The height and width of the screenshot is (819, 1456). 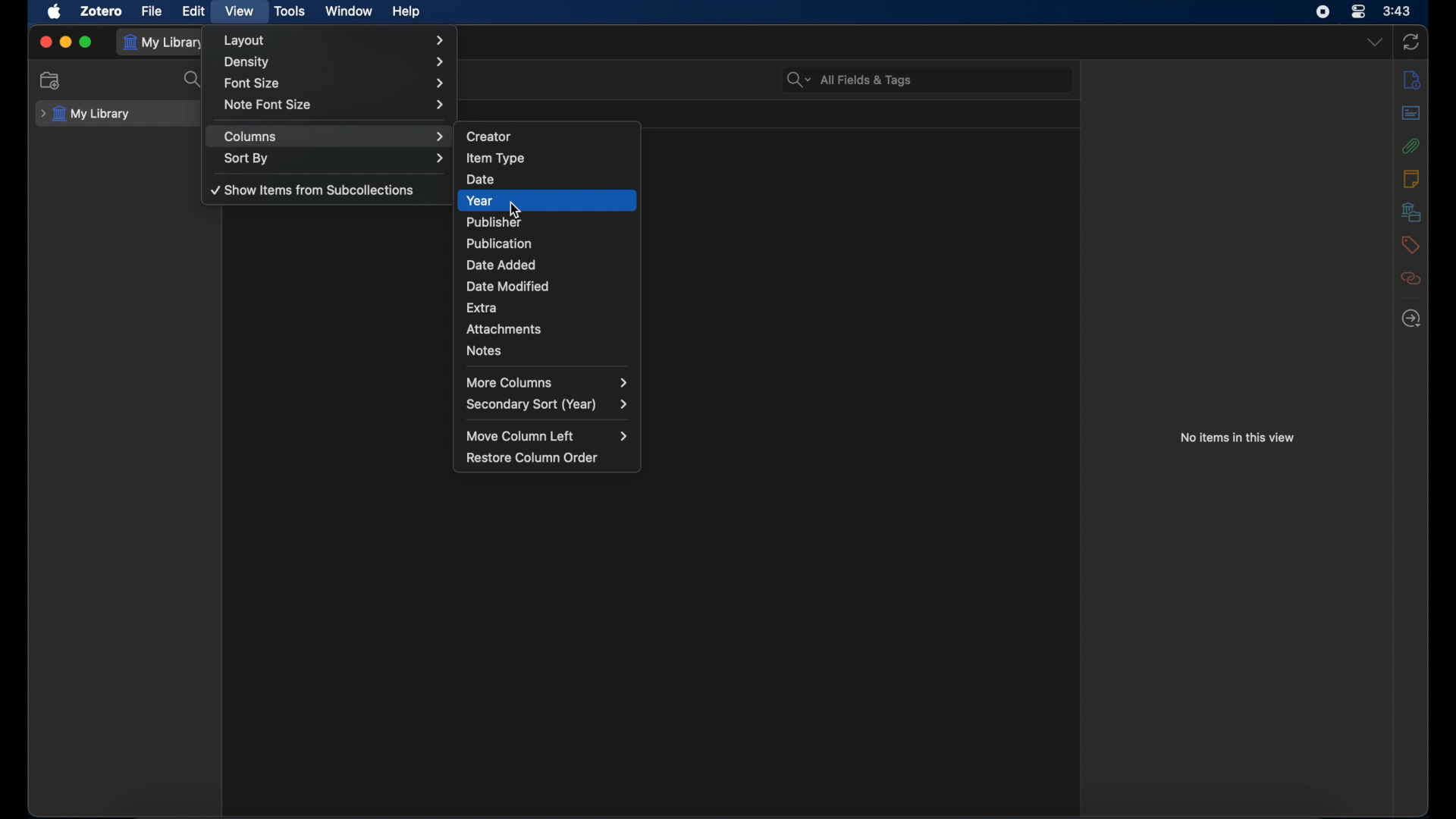 What do you see at coordinates (335, 40) in the screenshot?
I see `layout` at bounding box center [335, 40].